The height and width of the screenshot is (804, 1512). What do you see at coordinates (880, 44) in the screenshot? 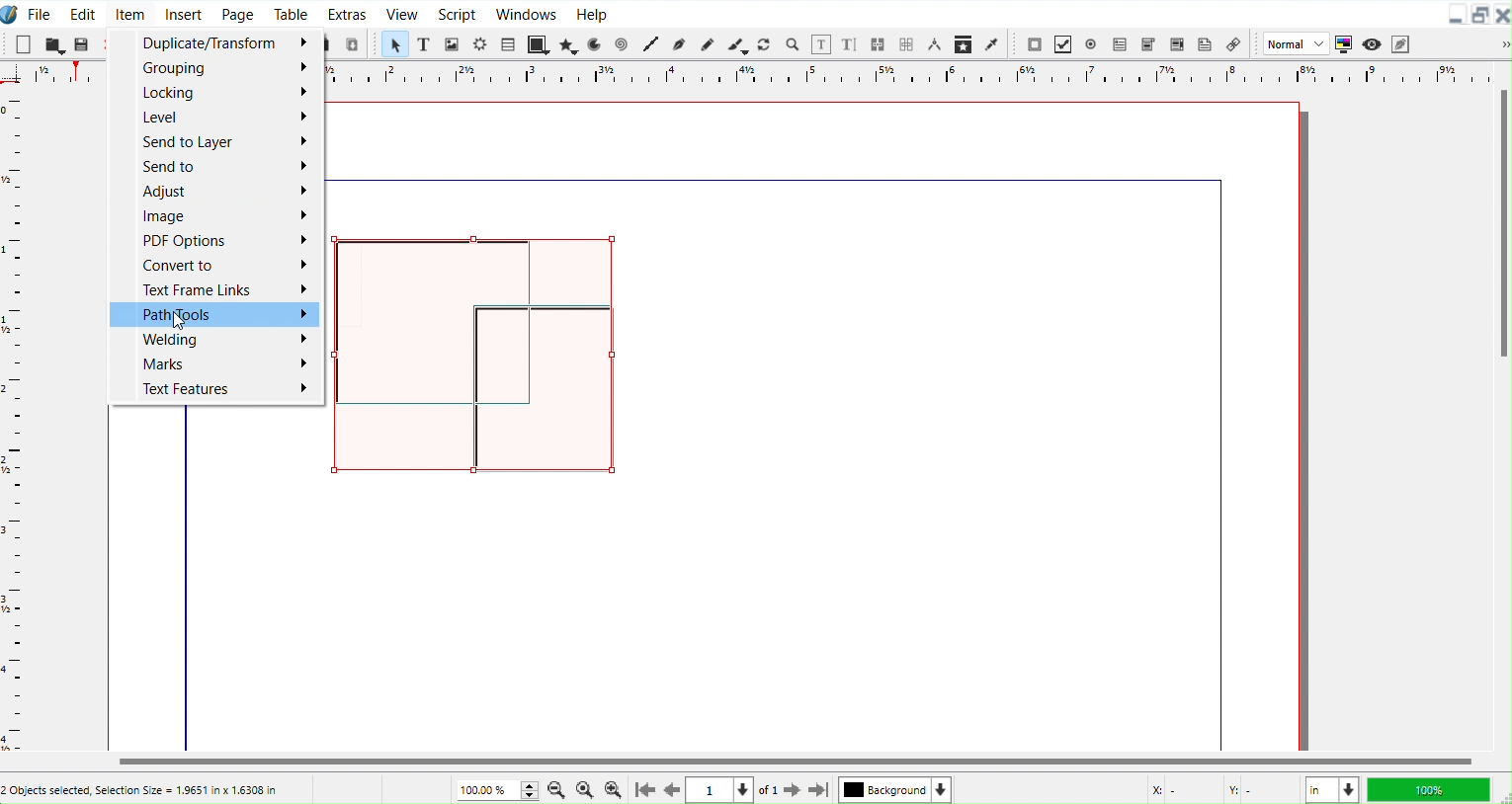
I see `Link text frame` at bounding box center [880, 44].